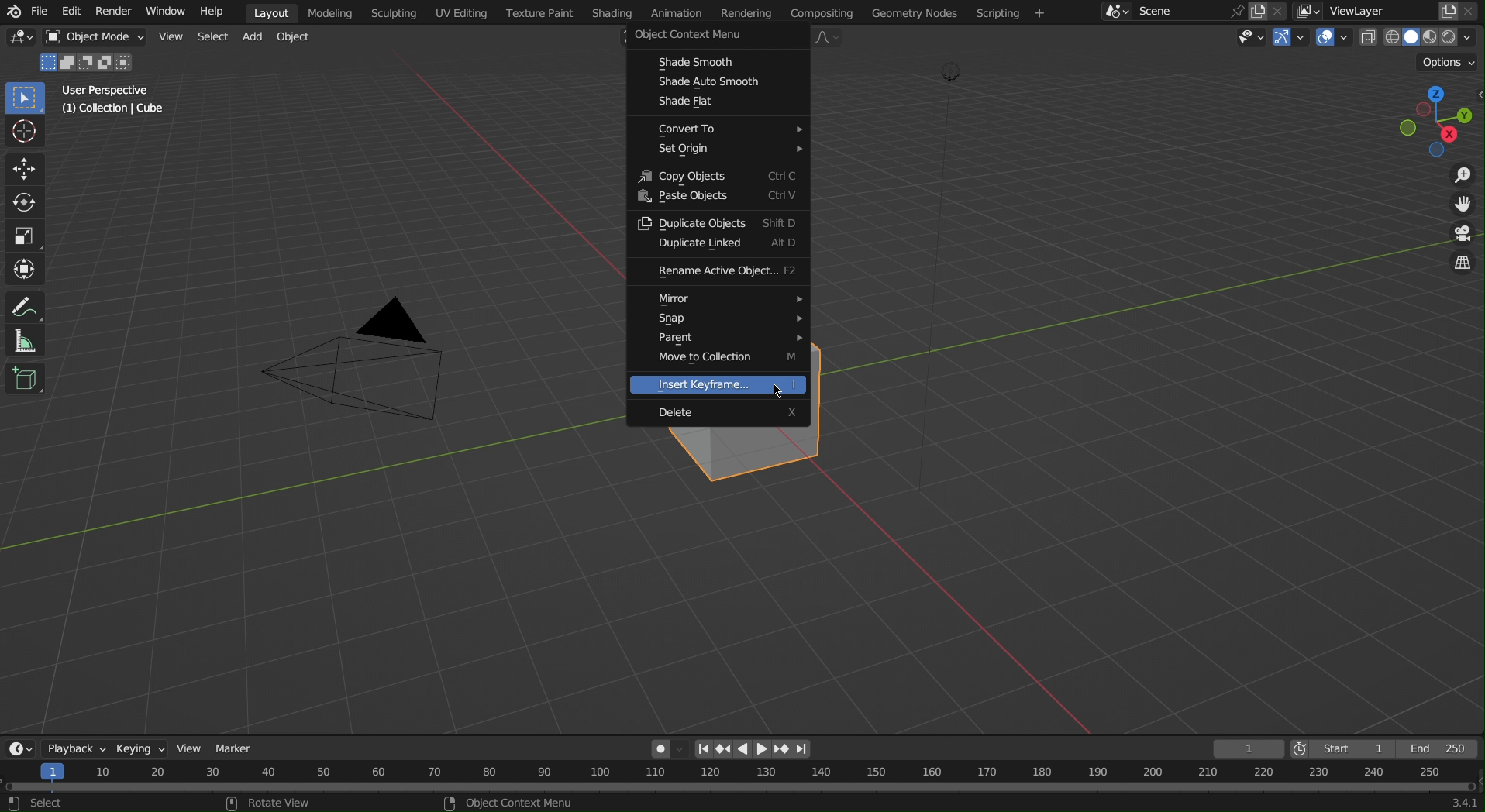 The width and height of the screenshot is (1485, 812). I want to click on Options, so click(1446, 64).